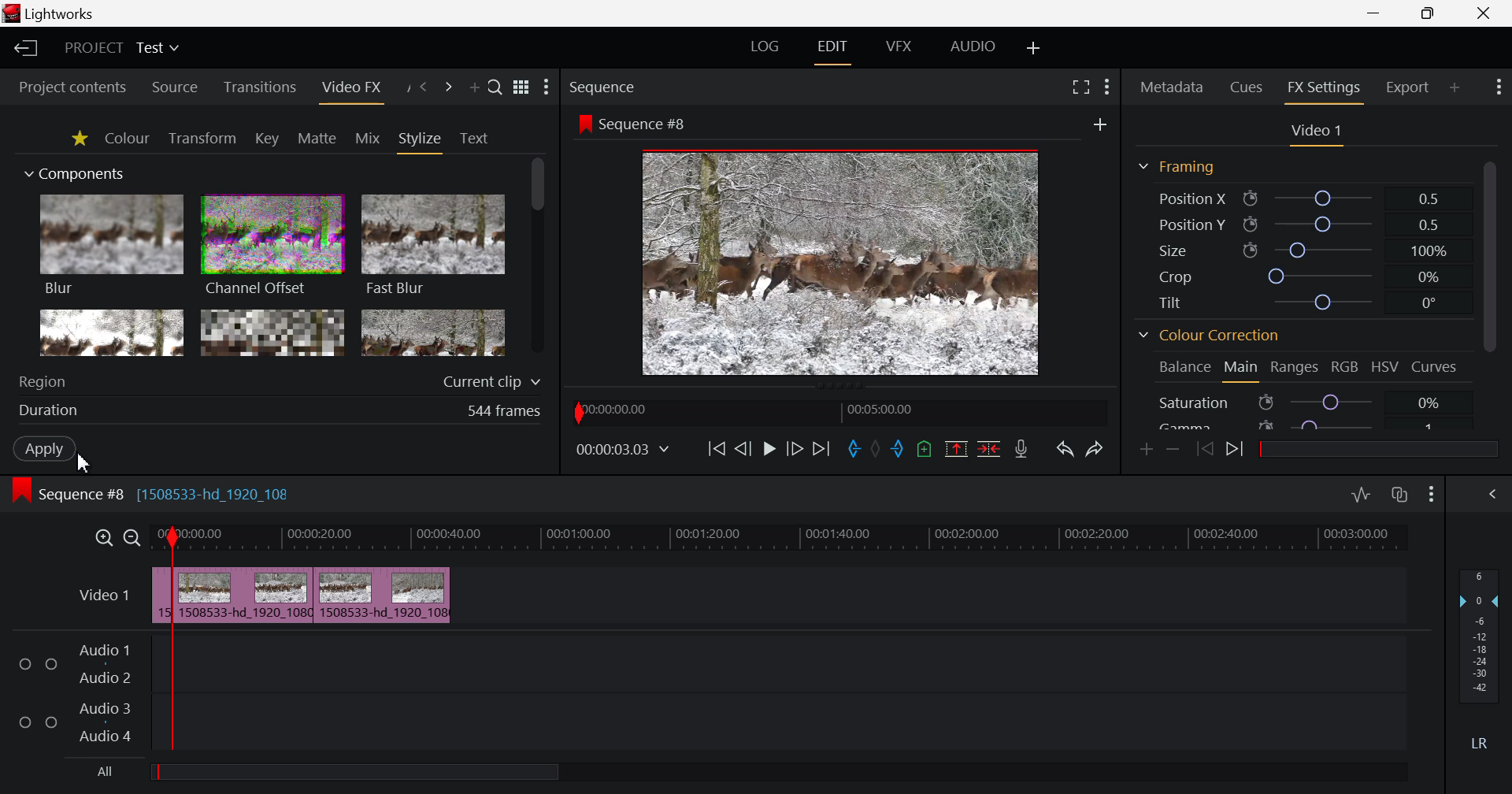 The height and width of the screenshot is (794, 1512). I want to click on Show Settings, so click(1497, 89).